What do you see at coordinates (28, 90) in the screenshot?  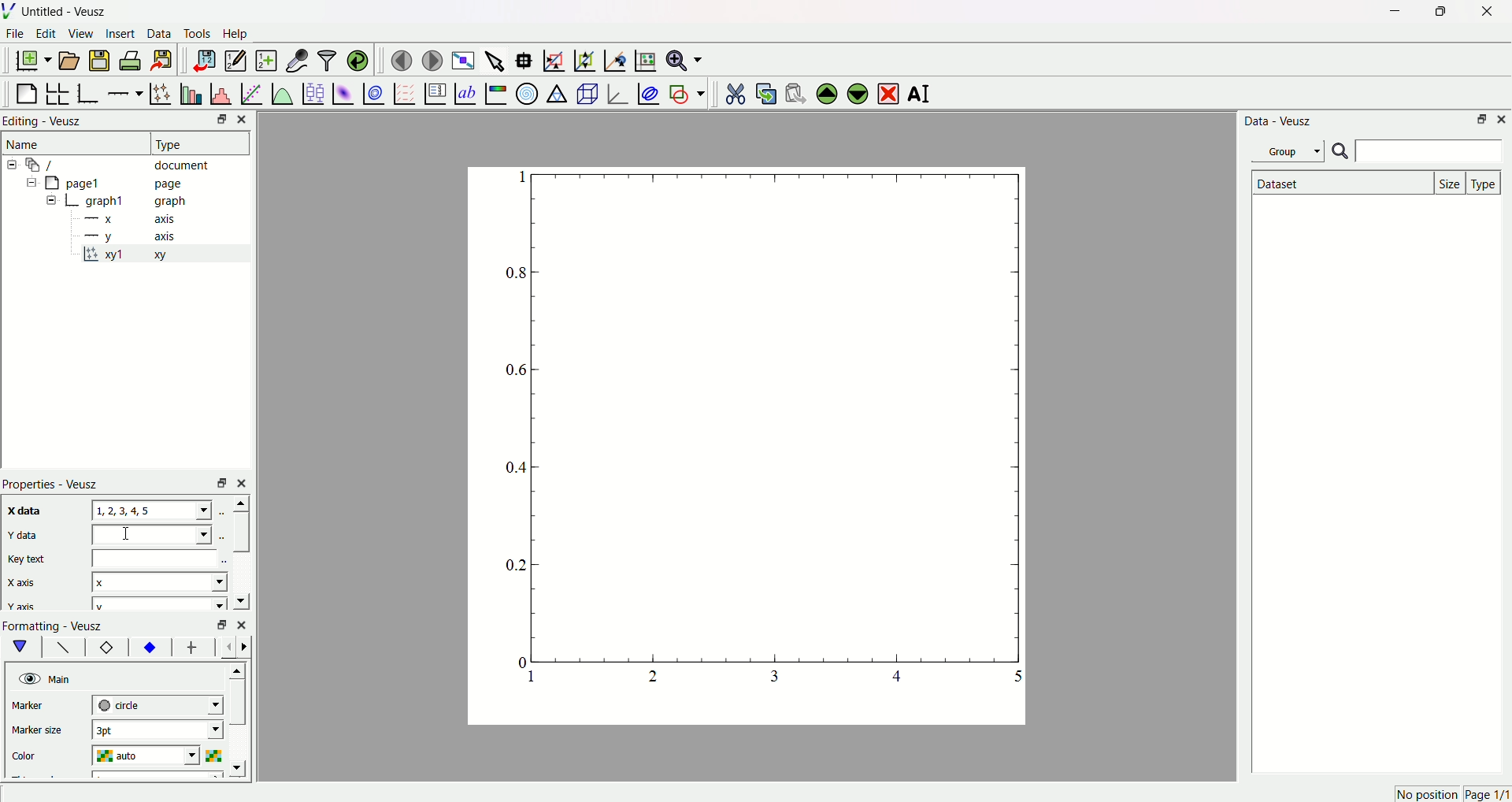 I see `blank page` at bounding box center [28, 90].